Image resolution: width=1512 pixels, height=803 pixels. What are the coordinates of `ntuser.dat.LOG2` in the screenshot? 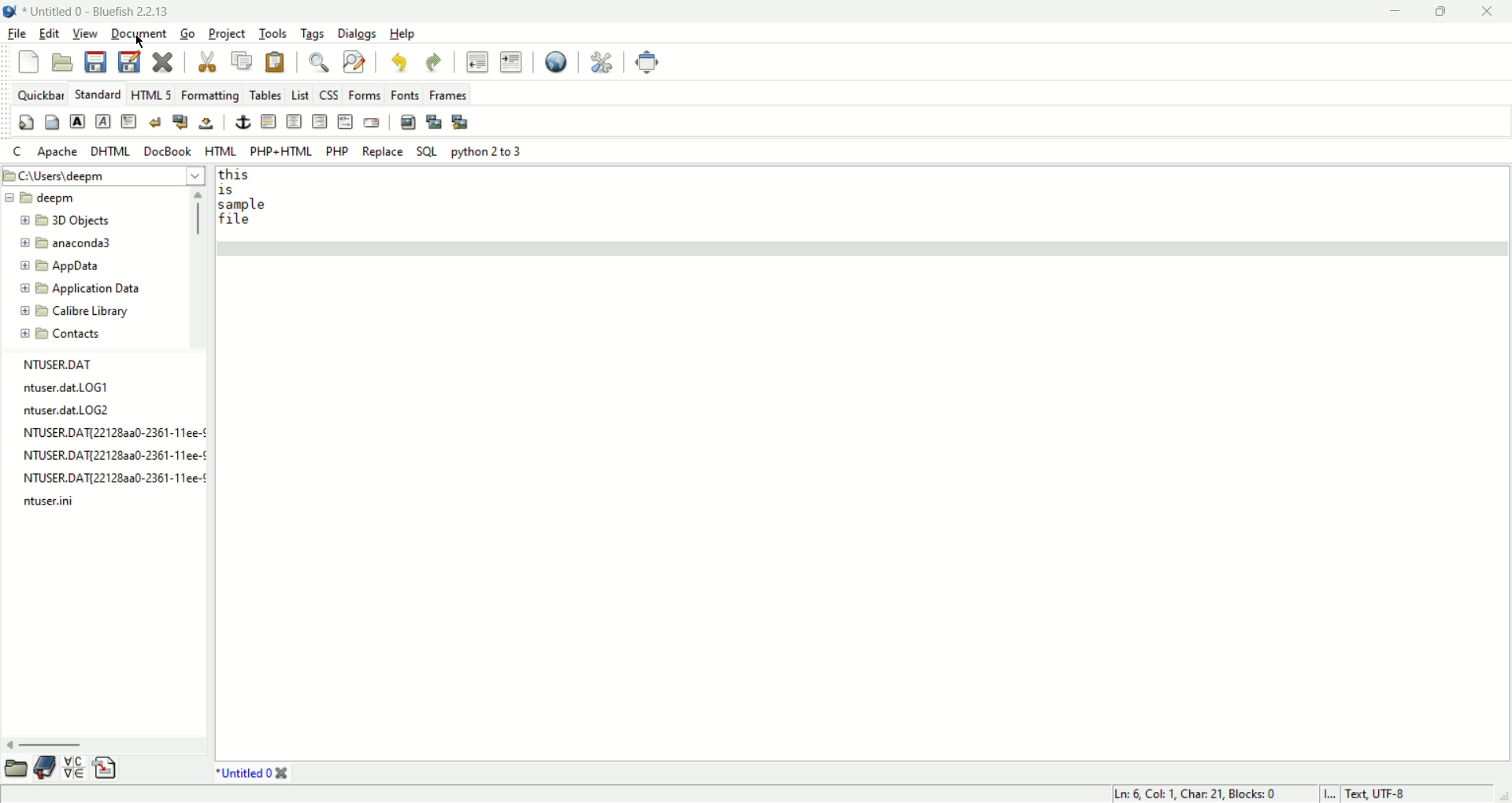 It's located at (71, 411).